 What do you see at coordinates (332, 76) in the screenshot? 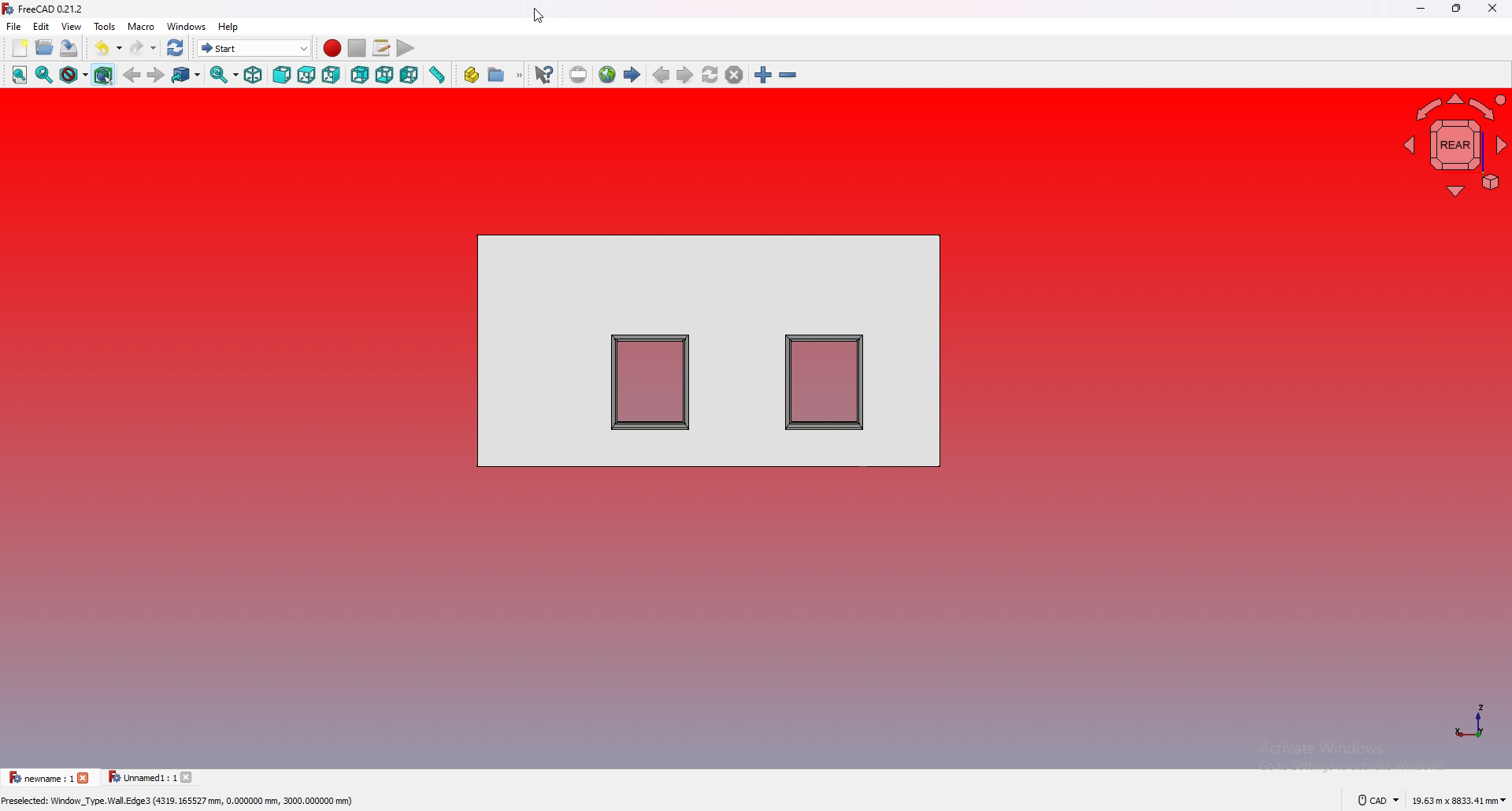
I see `right` at bounding box center [332, 76].